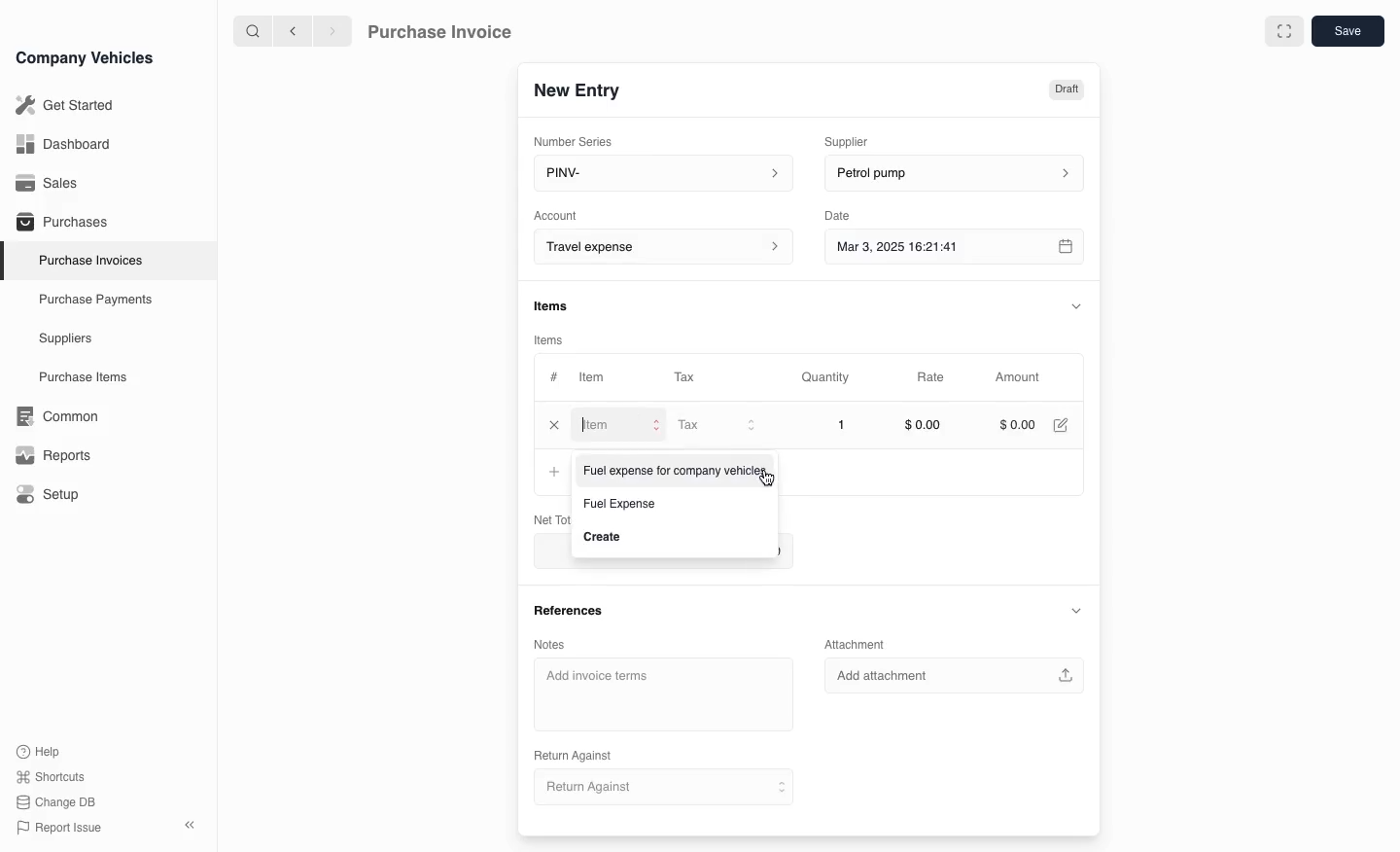  Describe the element at coordinates (52, 416) in the screenshot. I see `Common` at that location.